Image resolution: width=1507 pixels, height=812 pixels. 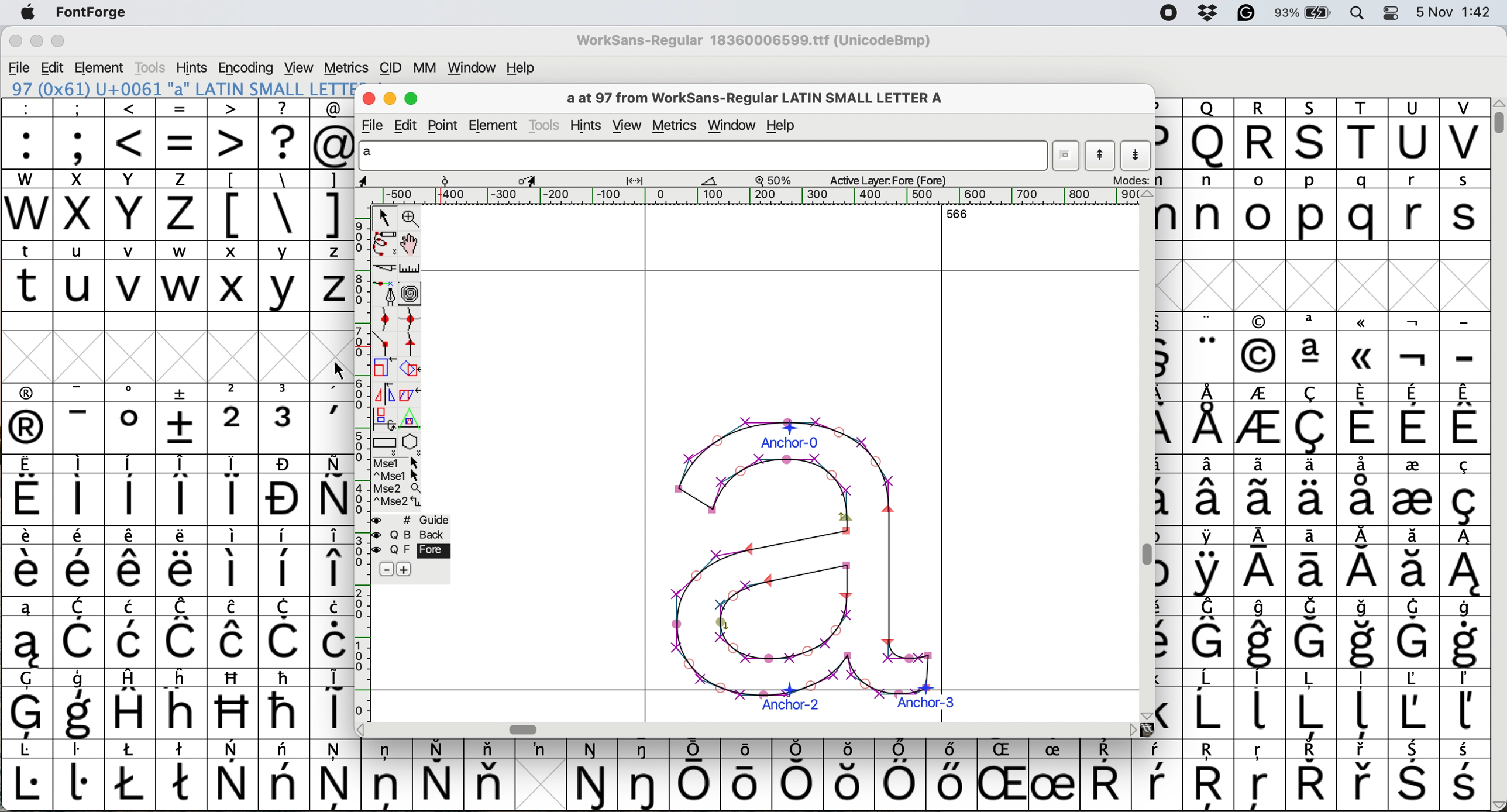 I want to click on show previous letter, so click(x=1102, y=156).